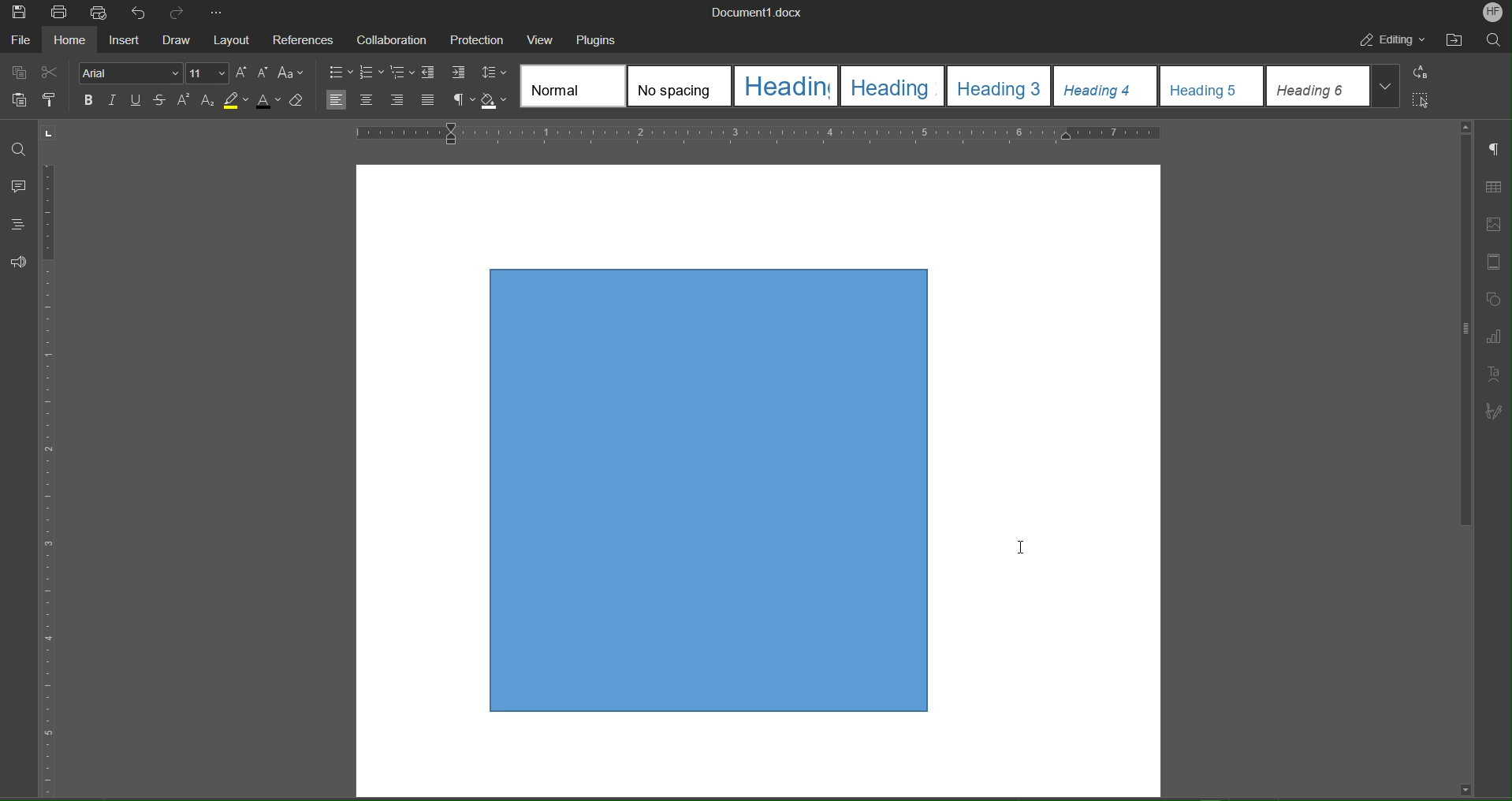  Describe the element at coordinates (366, 101) in the screenshot. I see `Centre Align` at that location.